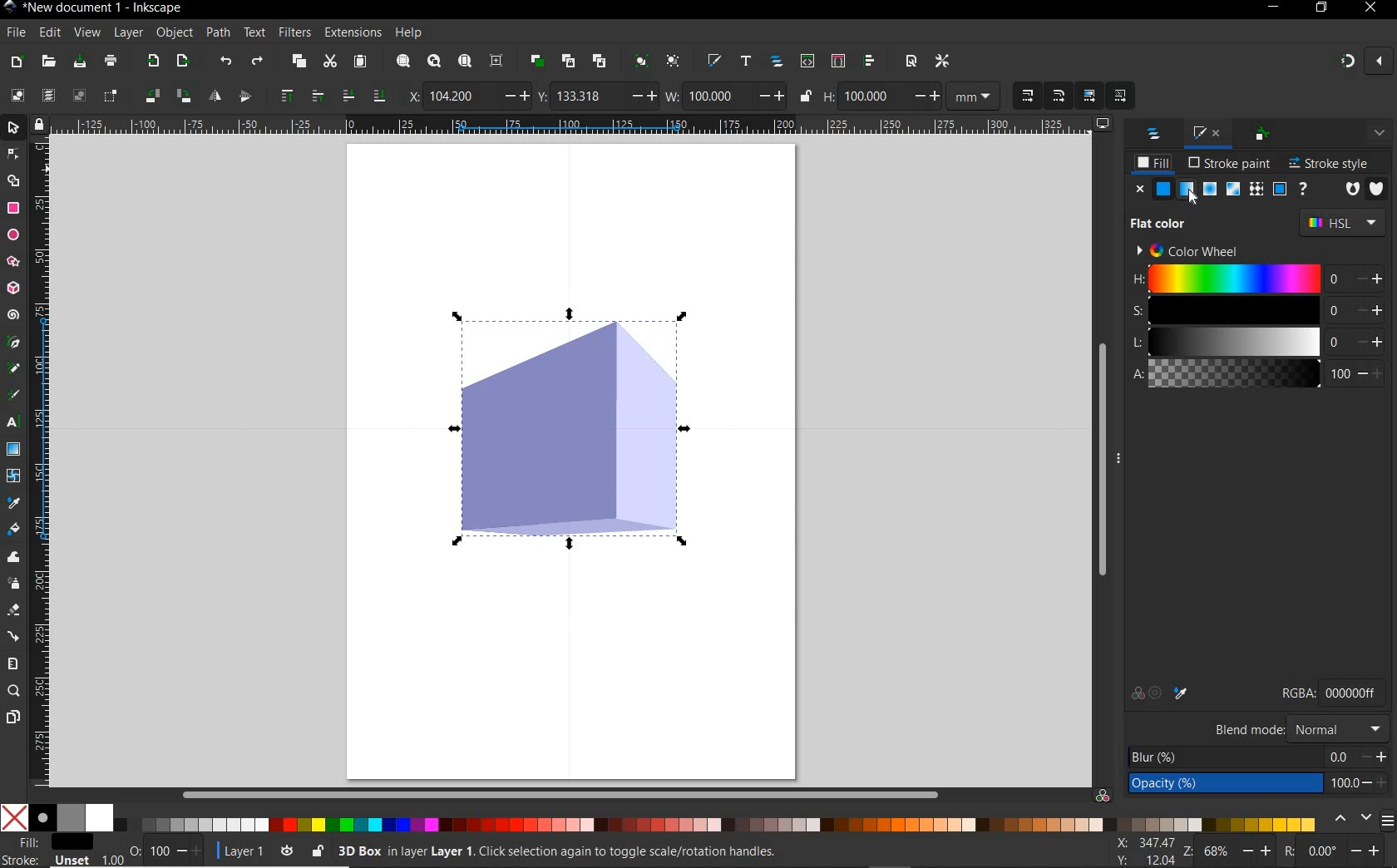 The height and width of the screenshot is (868, 1397). Describe the element at coordinates (111, 97) in the screenshot. I see `TOGGLE SELECTION BOX` at that location.